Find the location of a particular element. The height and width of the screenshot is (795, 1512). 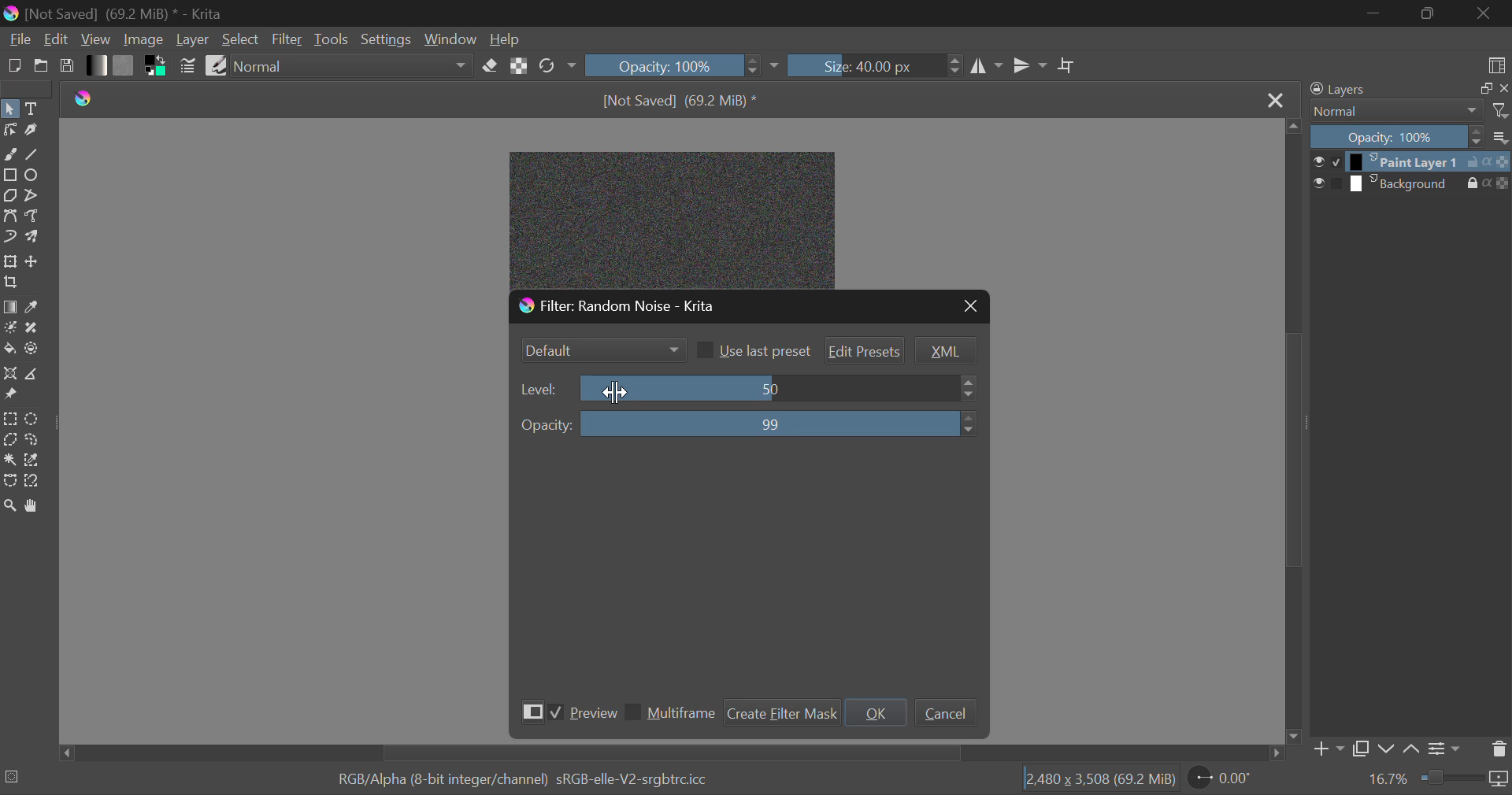

Window is located at coordinates (450, 38).